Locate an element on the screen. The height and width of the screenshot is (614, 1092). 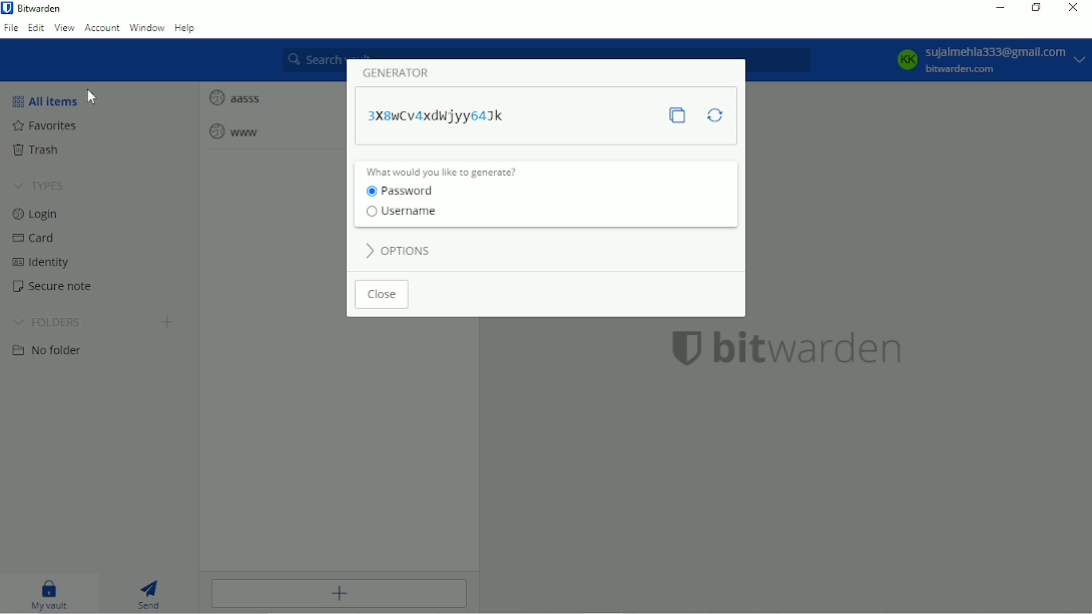
Minimize is located at coordinates (997, 9).